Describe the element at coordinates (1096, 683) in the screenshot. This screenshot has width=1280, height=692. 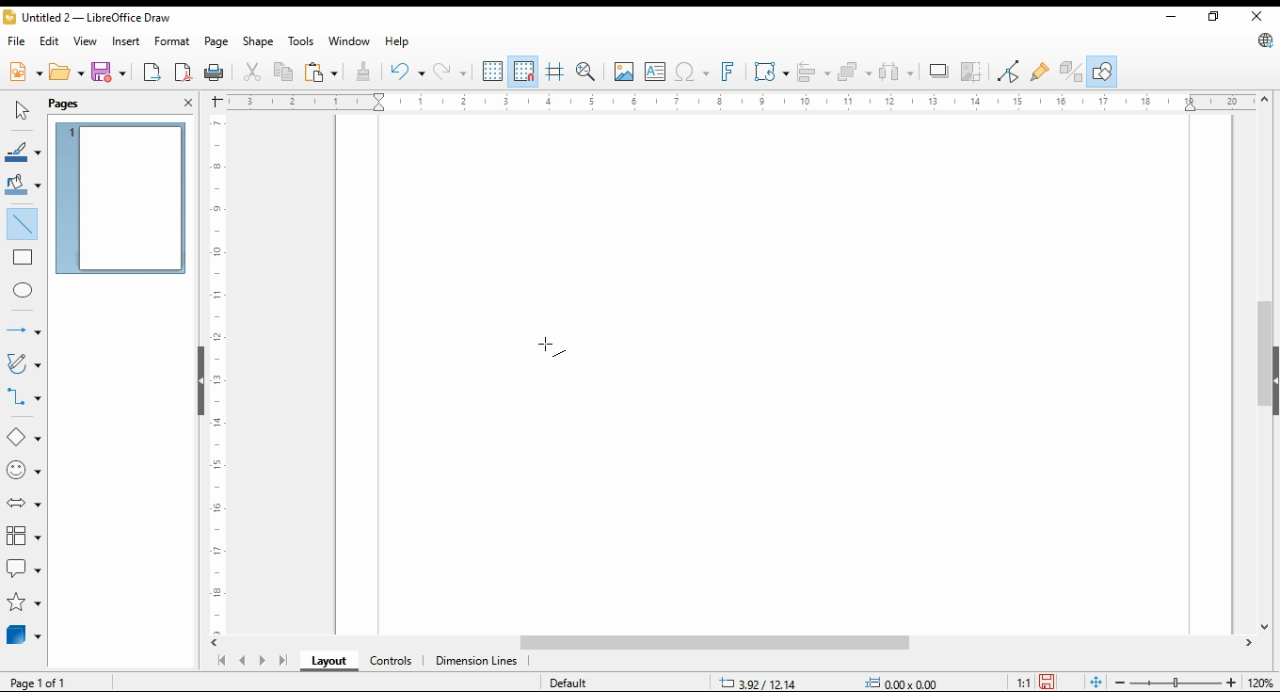
I see `fit page to window` at that location.